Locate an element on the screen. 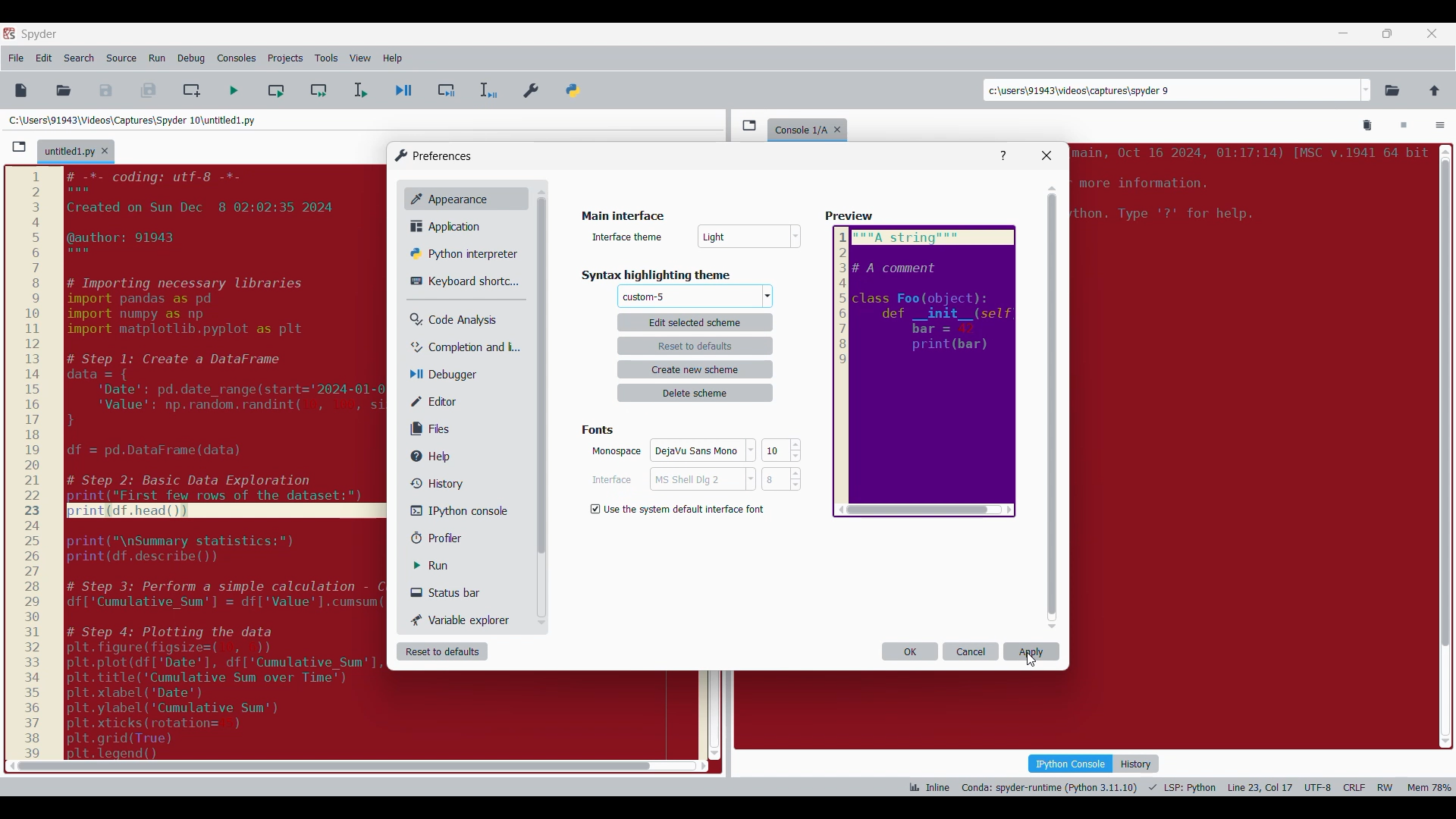  Keyboard shortcut is located at coordinates (459, 281).